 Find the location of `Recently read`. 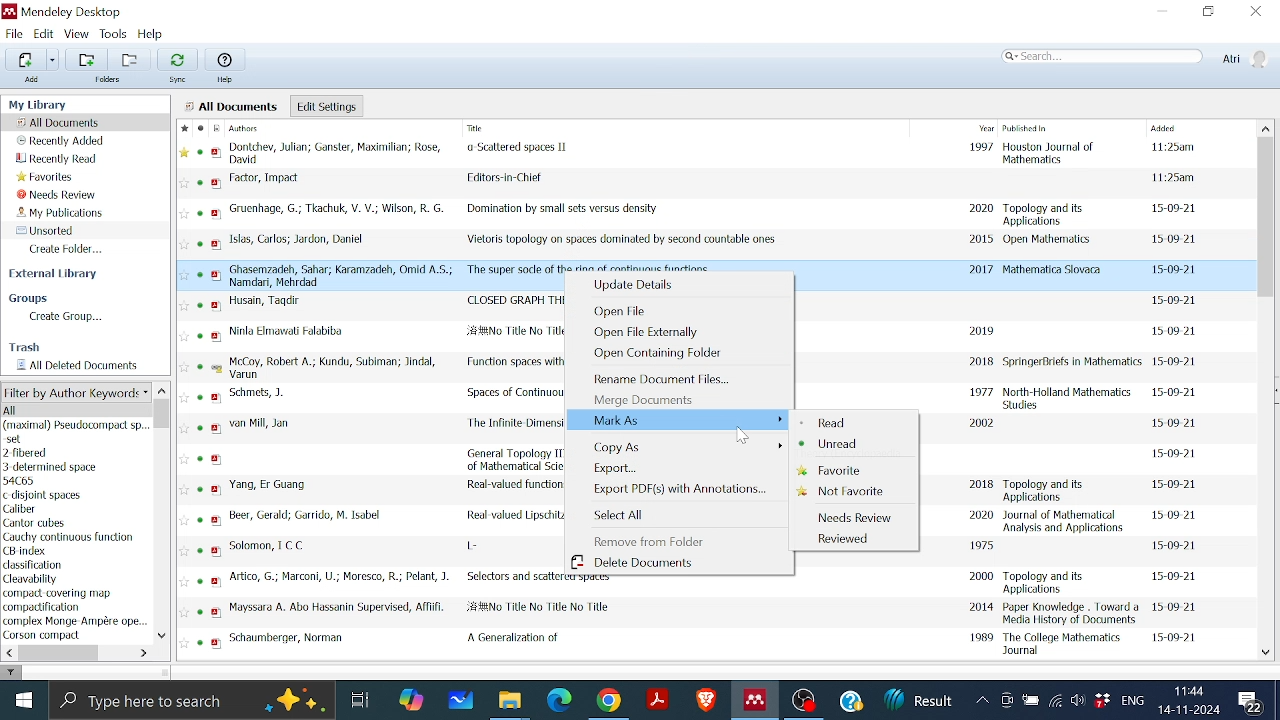

Recently read is located at coordinates (58, 159).